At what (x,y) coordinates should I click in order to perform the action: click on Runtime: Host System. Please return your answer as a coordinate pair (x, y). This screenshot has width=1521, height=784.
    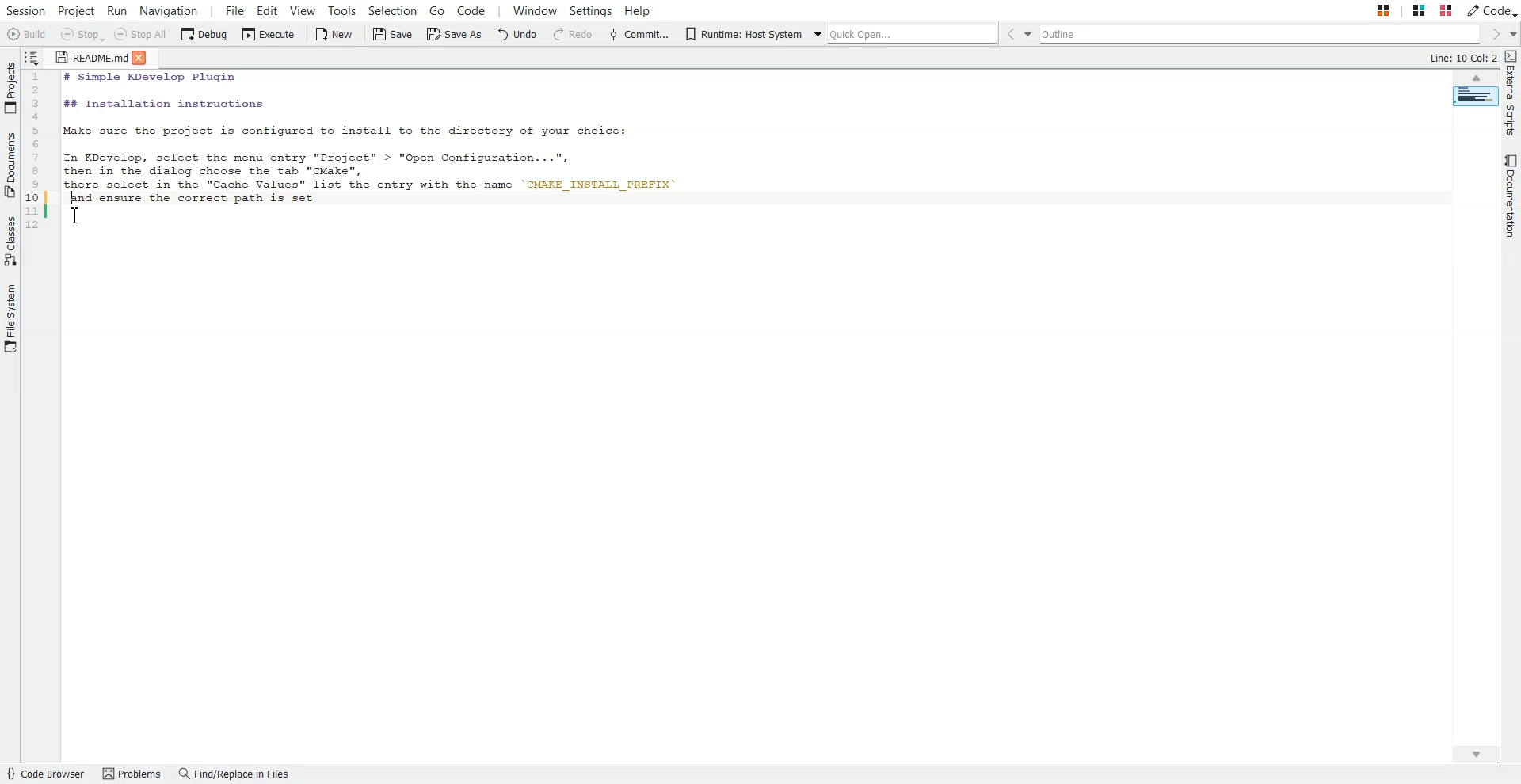
    Looking at the image, I should click on (741, 35).